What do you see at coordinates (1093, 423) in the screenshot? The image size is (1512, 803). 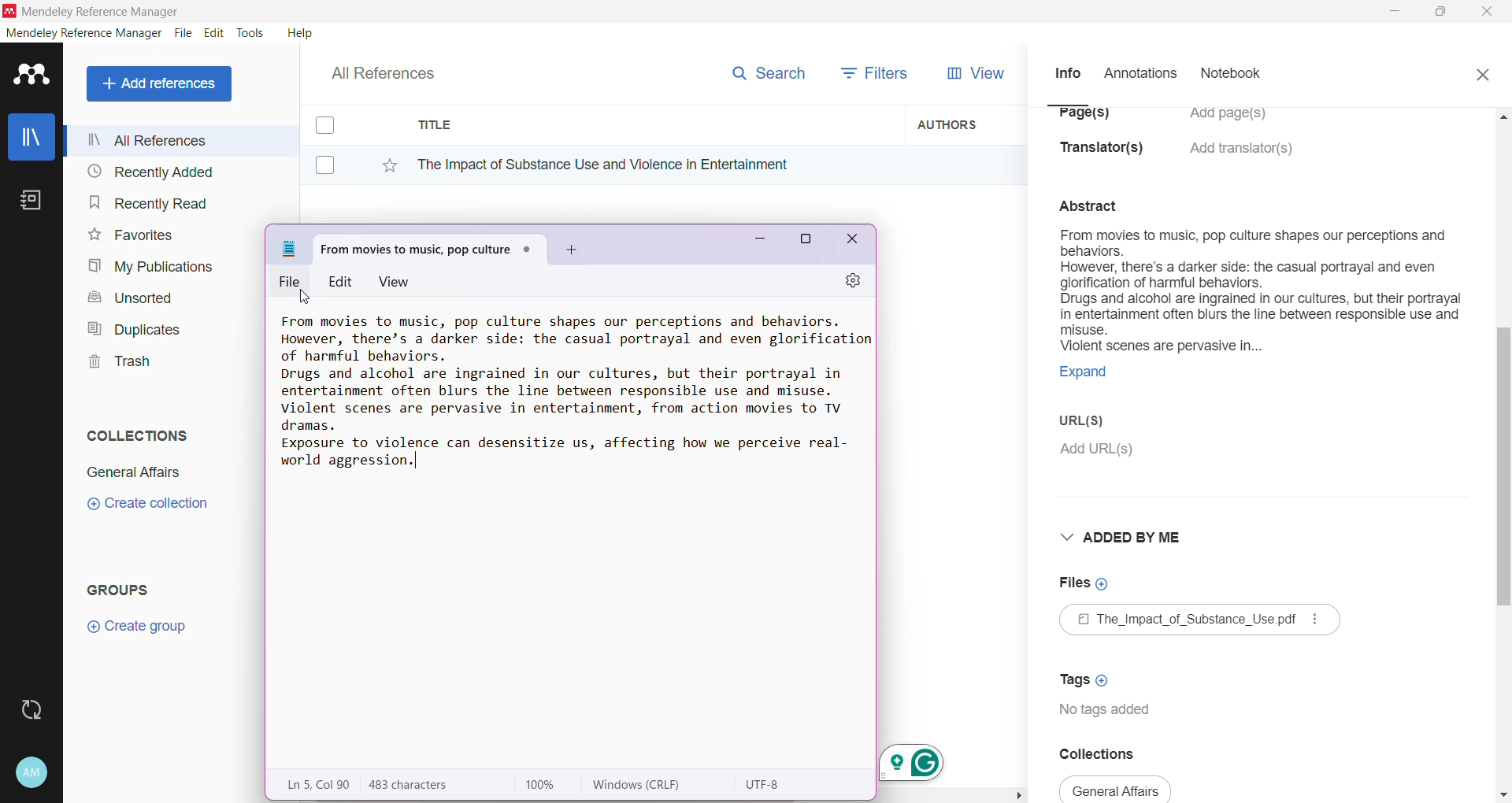 I see `URL(S)` at bounding box center [1093, 423].